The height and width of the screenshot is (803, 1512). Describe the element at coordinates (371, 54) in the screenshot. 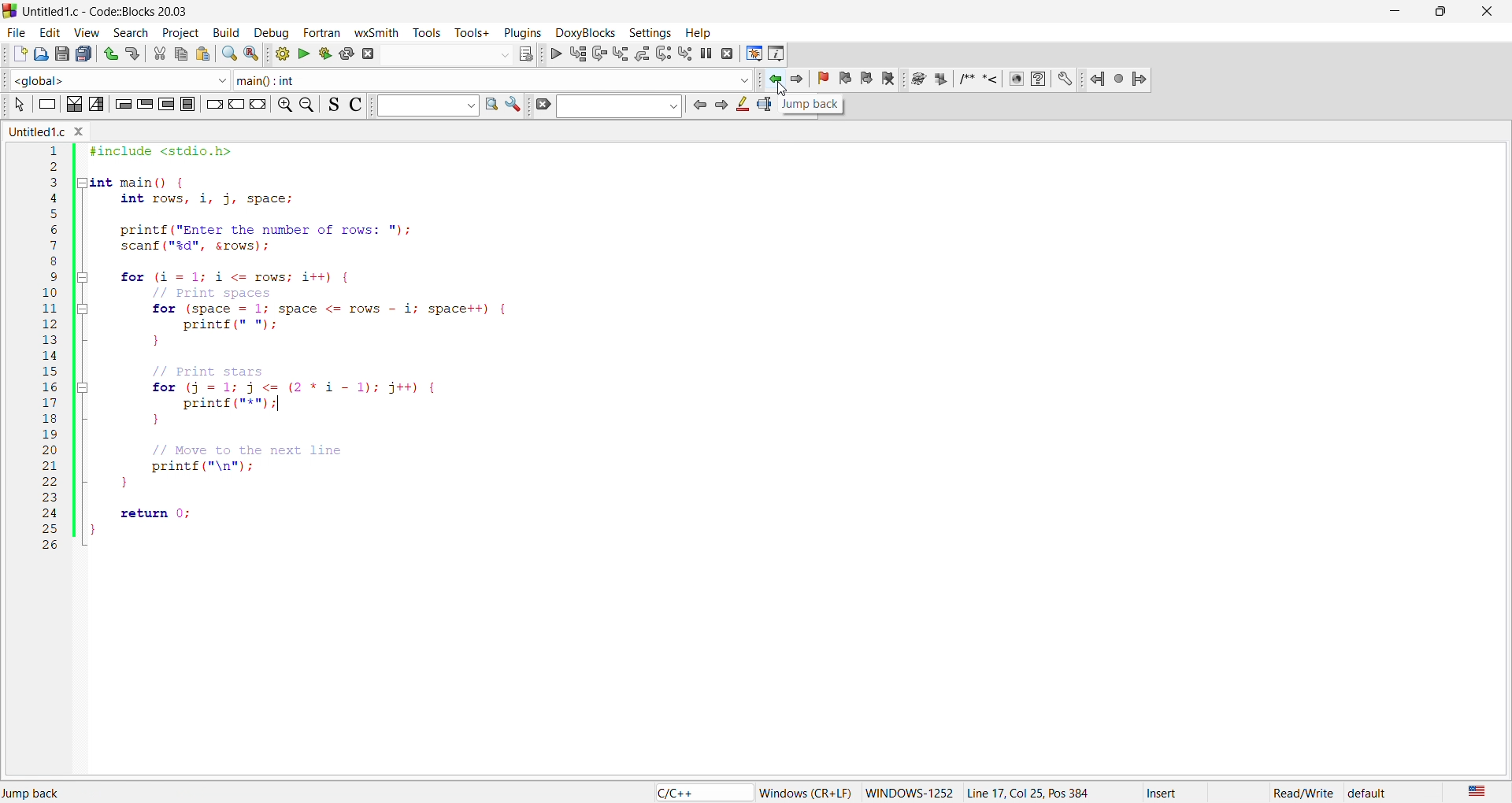

I see `abort ` at that location.